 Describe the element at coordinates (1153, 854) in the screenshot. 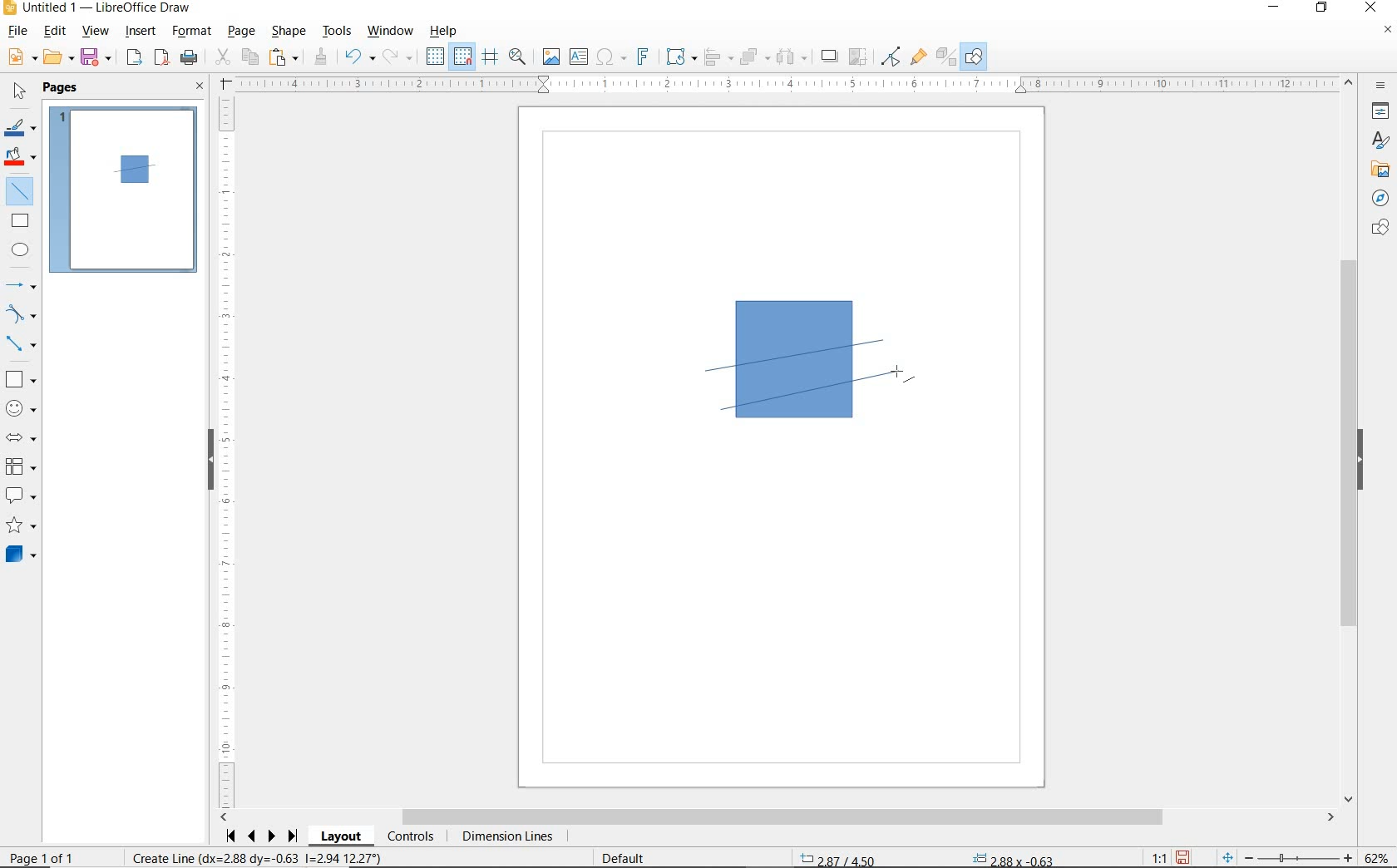

I see `SCALING FACTOR` at that location.